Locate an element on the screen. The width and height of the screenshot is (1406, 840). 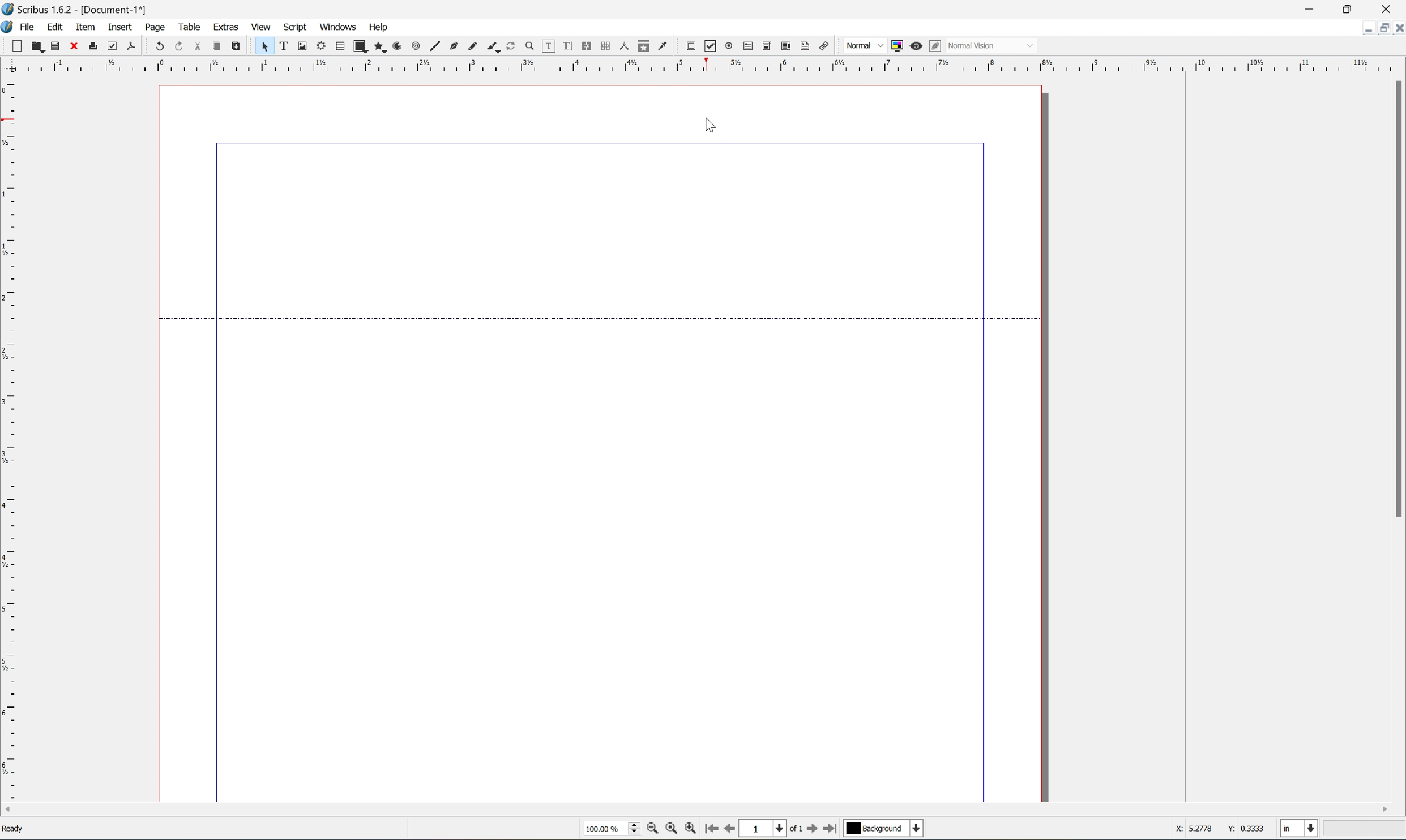
arc is located at coordinates (398, 46).